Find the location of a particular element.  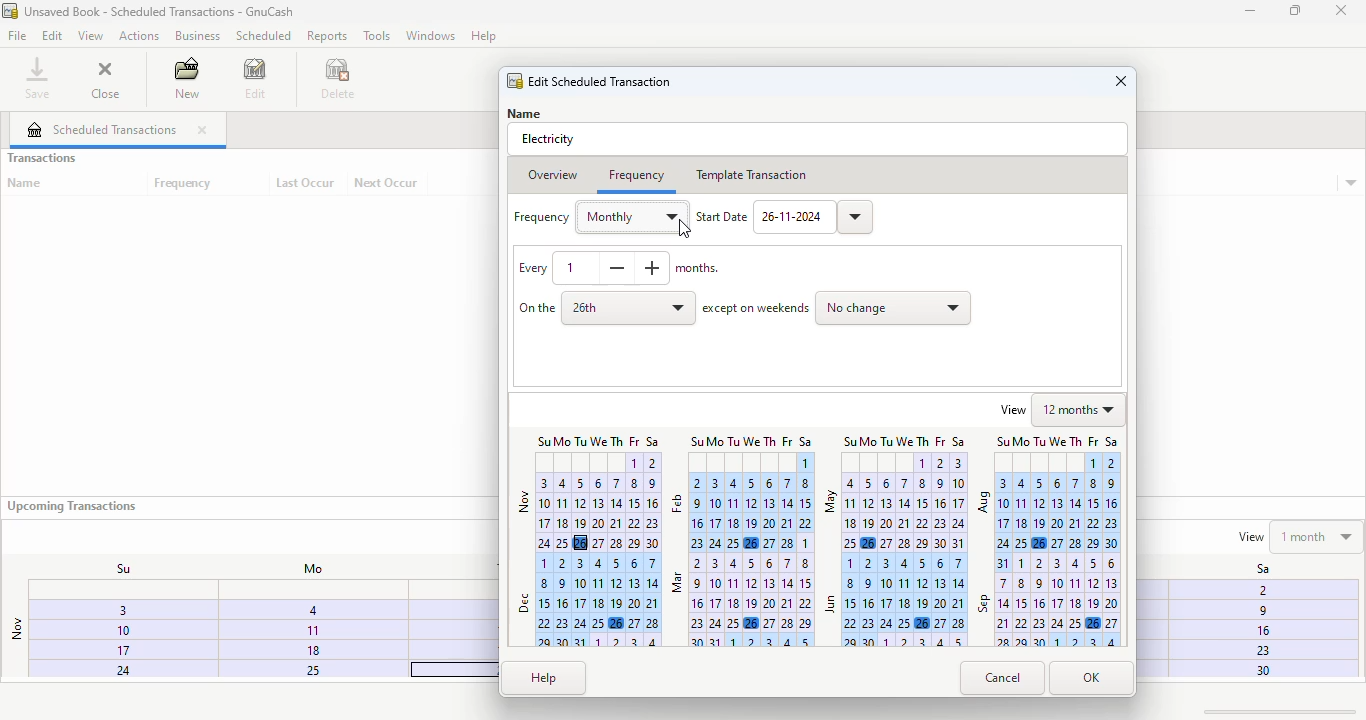

close is located at coordinates (105, 77).